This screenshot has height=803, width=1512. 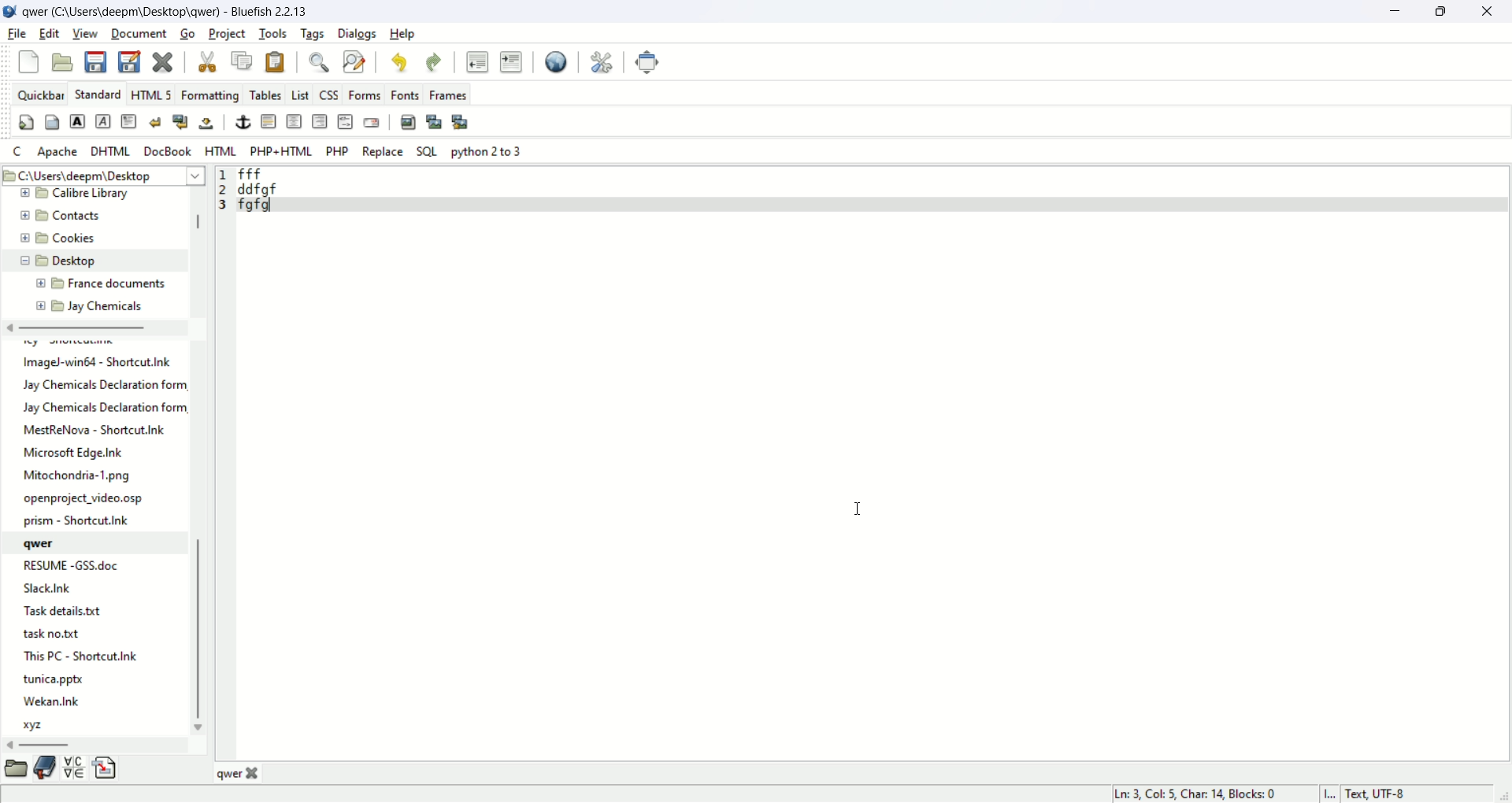 I want to click on tunica.pptx, so click(x=53, y=681).